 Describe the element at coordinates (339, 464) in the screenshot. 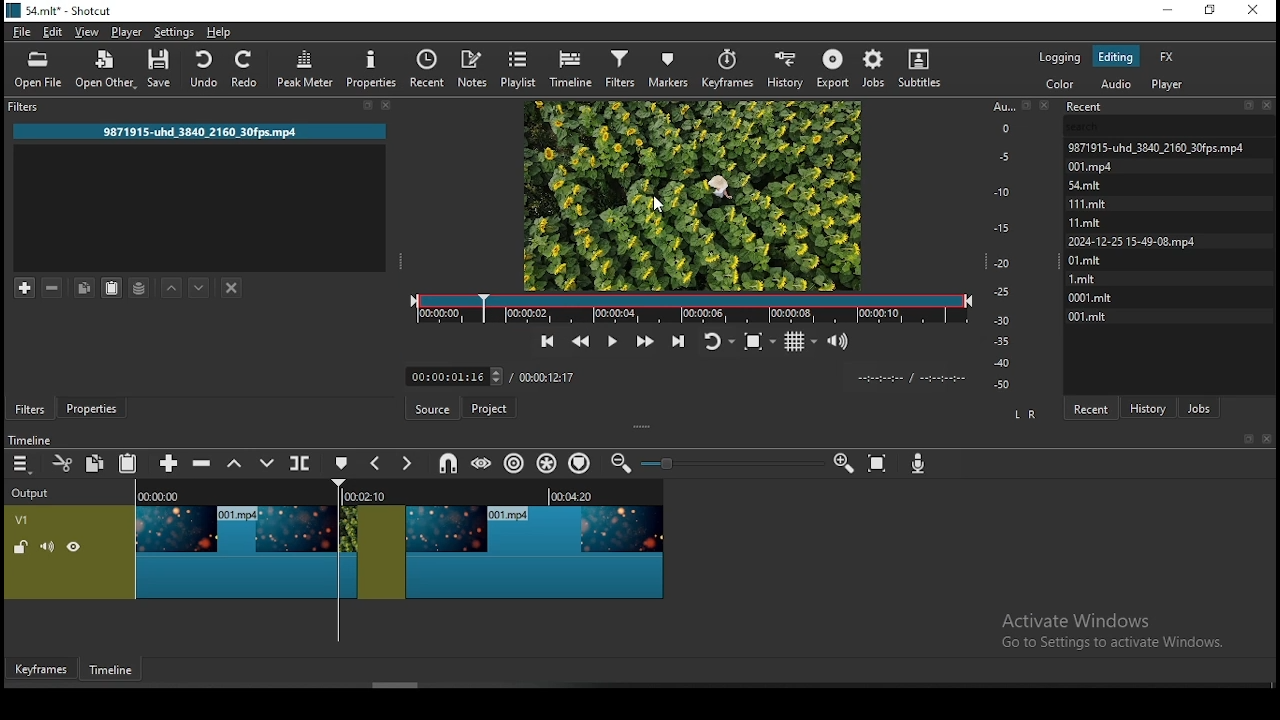

I see `create/edit marker` at that location.